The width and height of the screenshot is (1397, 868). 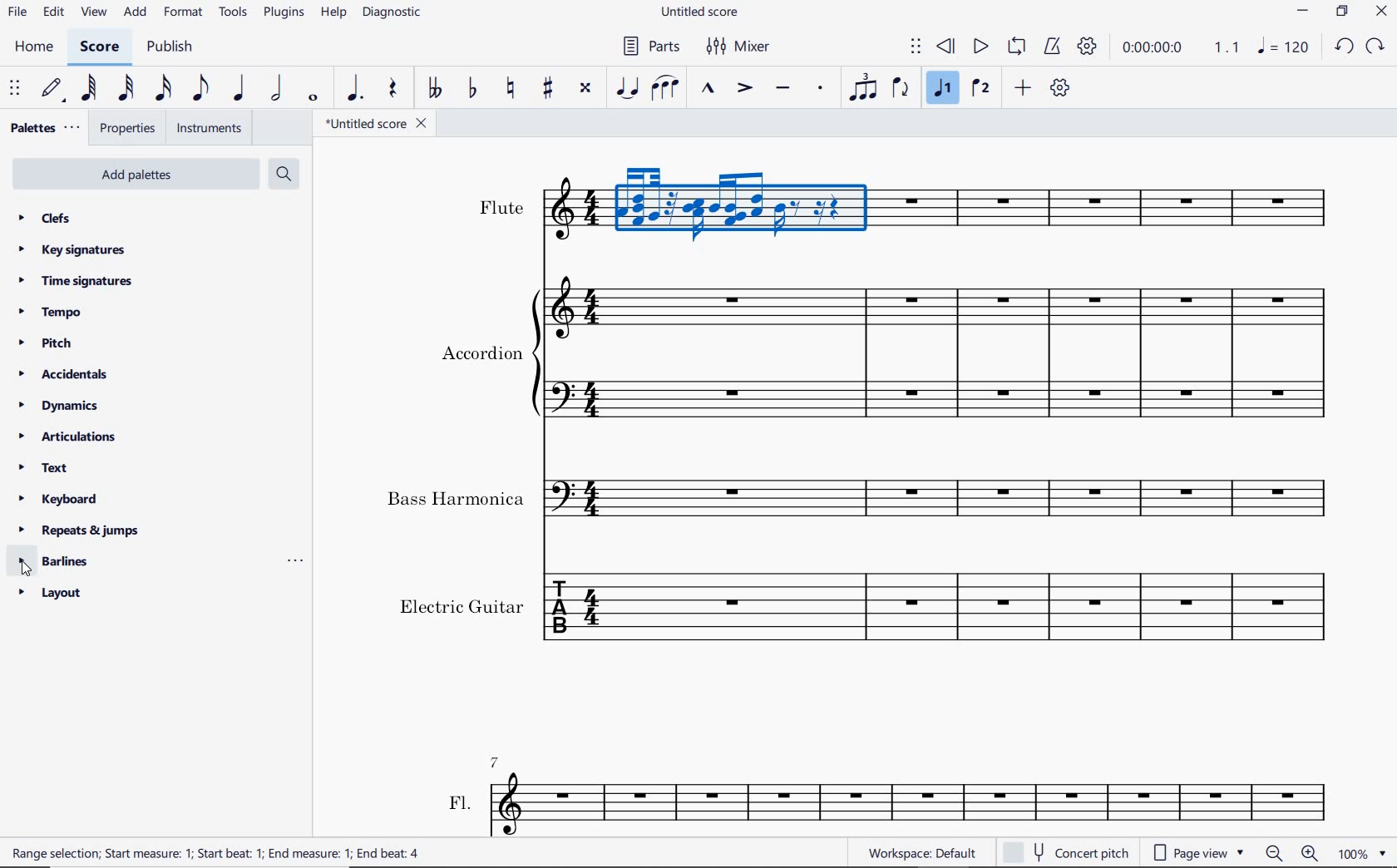 What do you see at coordinates (333, 13) in the screenshot?
I see `help` at bounding box center [333, 13].